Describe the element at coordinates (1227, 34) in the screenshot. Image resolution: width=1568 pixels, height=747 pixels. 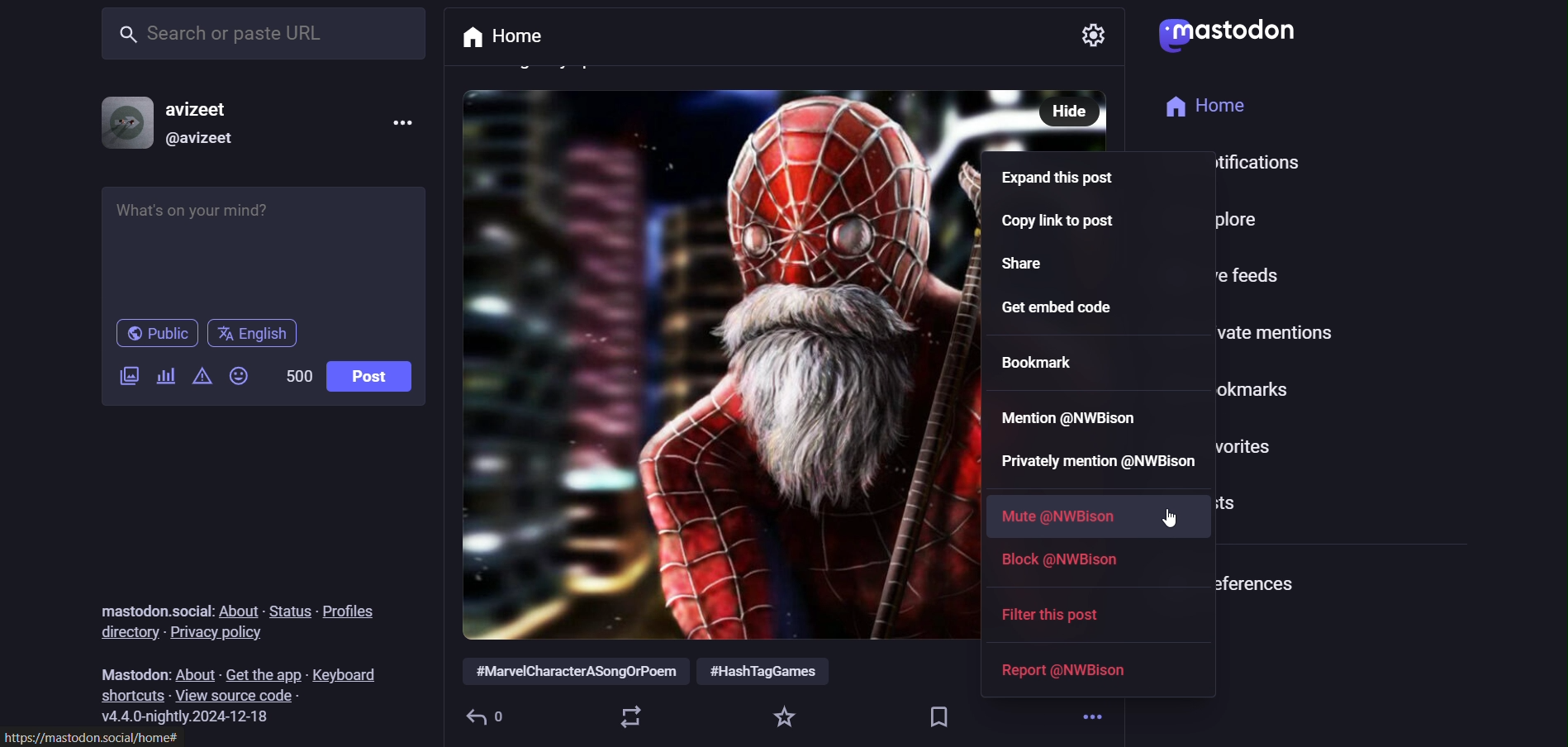
I see `logo` at that location.